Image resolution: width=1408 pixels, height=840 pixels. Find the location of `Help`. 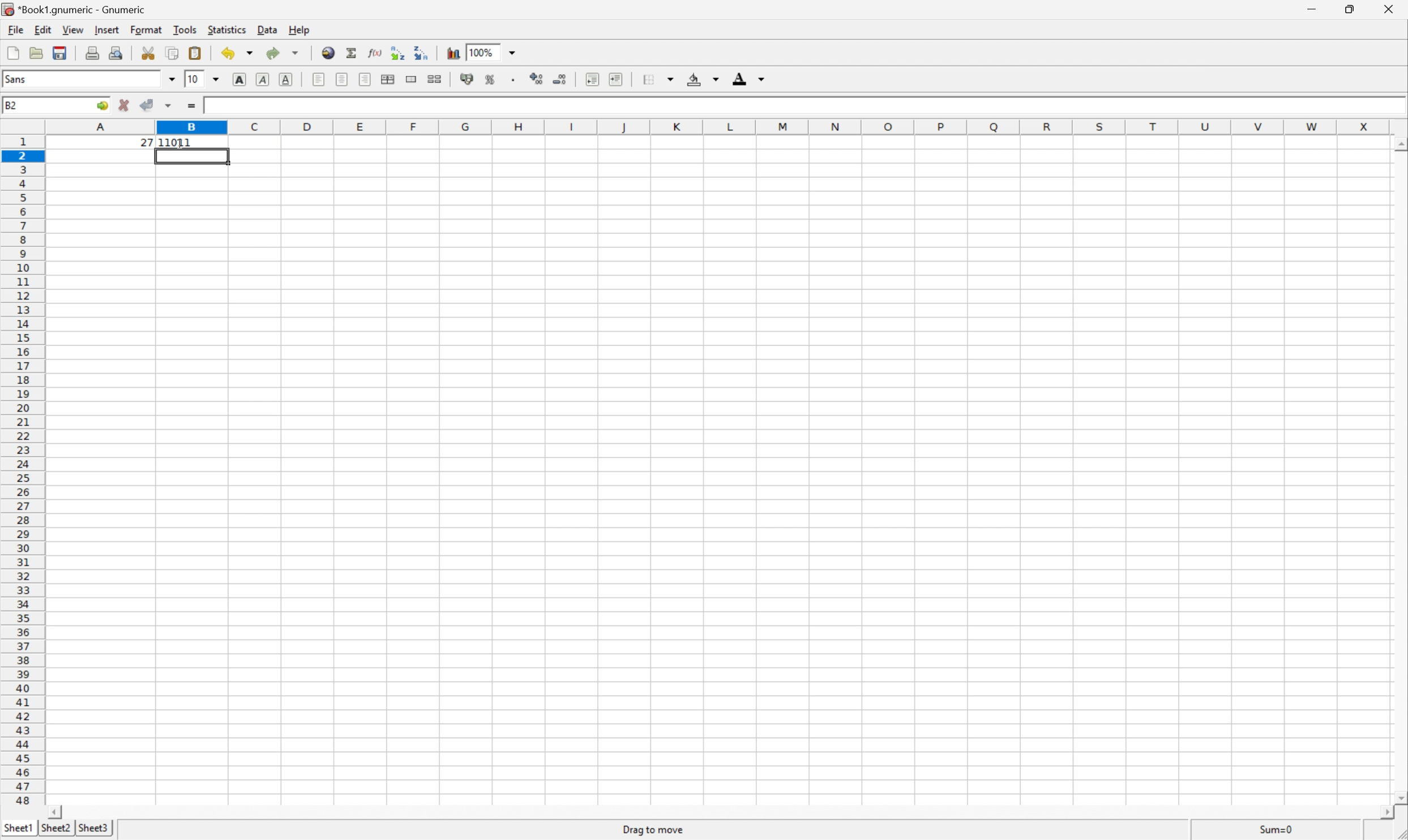

Help is located at coordinates (300, 30).